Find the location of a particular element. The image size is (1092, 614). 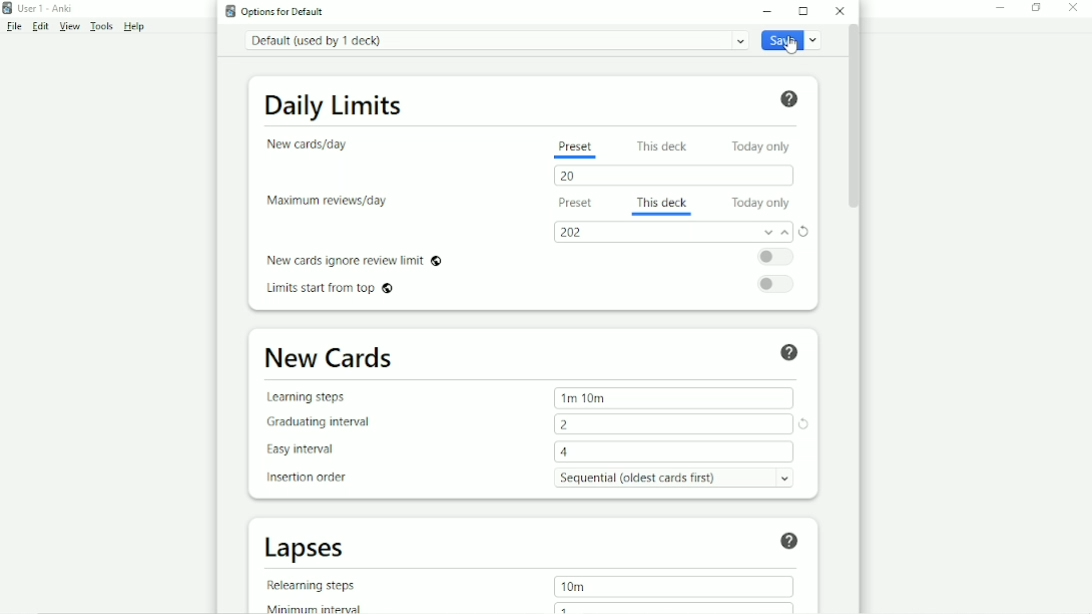

Minimize is located at coordinates (1003, 7).